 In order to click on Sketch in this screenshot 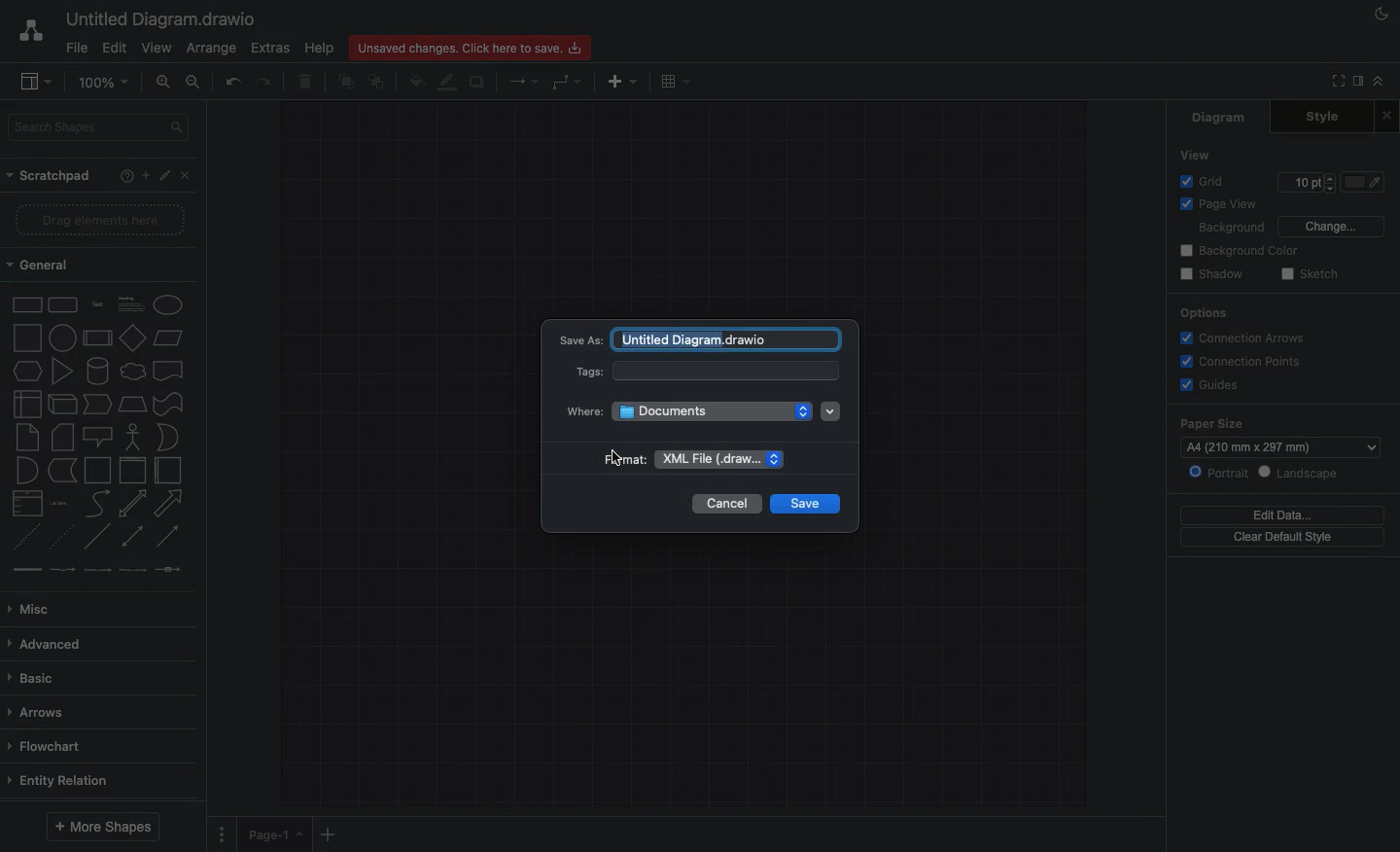, I will do `click(1312, 274)`.